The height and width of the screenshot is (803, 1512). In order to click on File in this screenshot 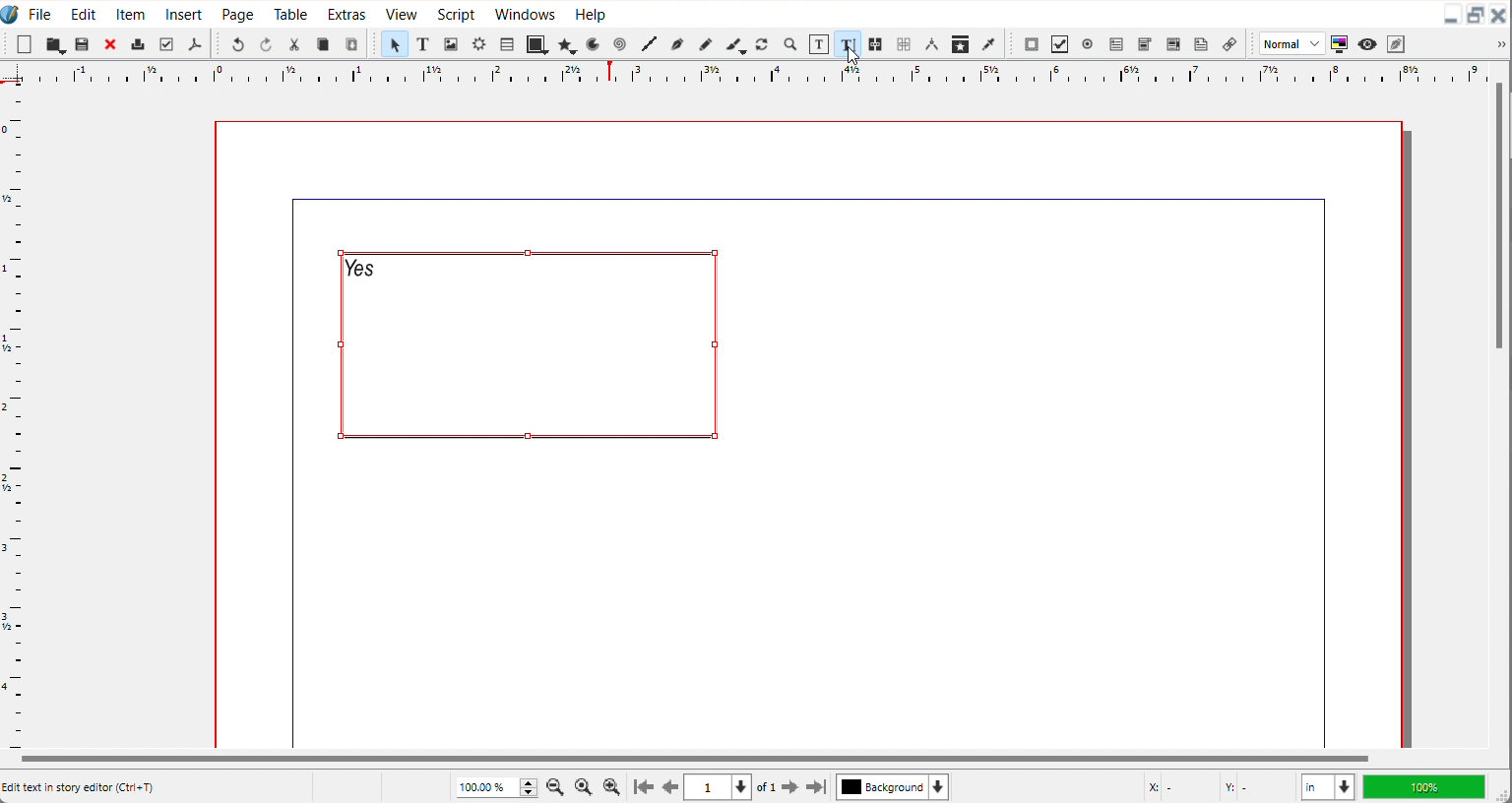, I will do `click(40, 13)`.